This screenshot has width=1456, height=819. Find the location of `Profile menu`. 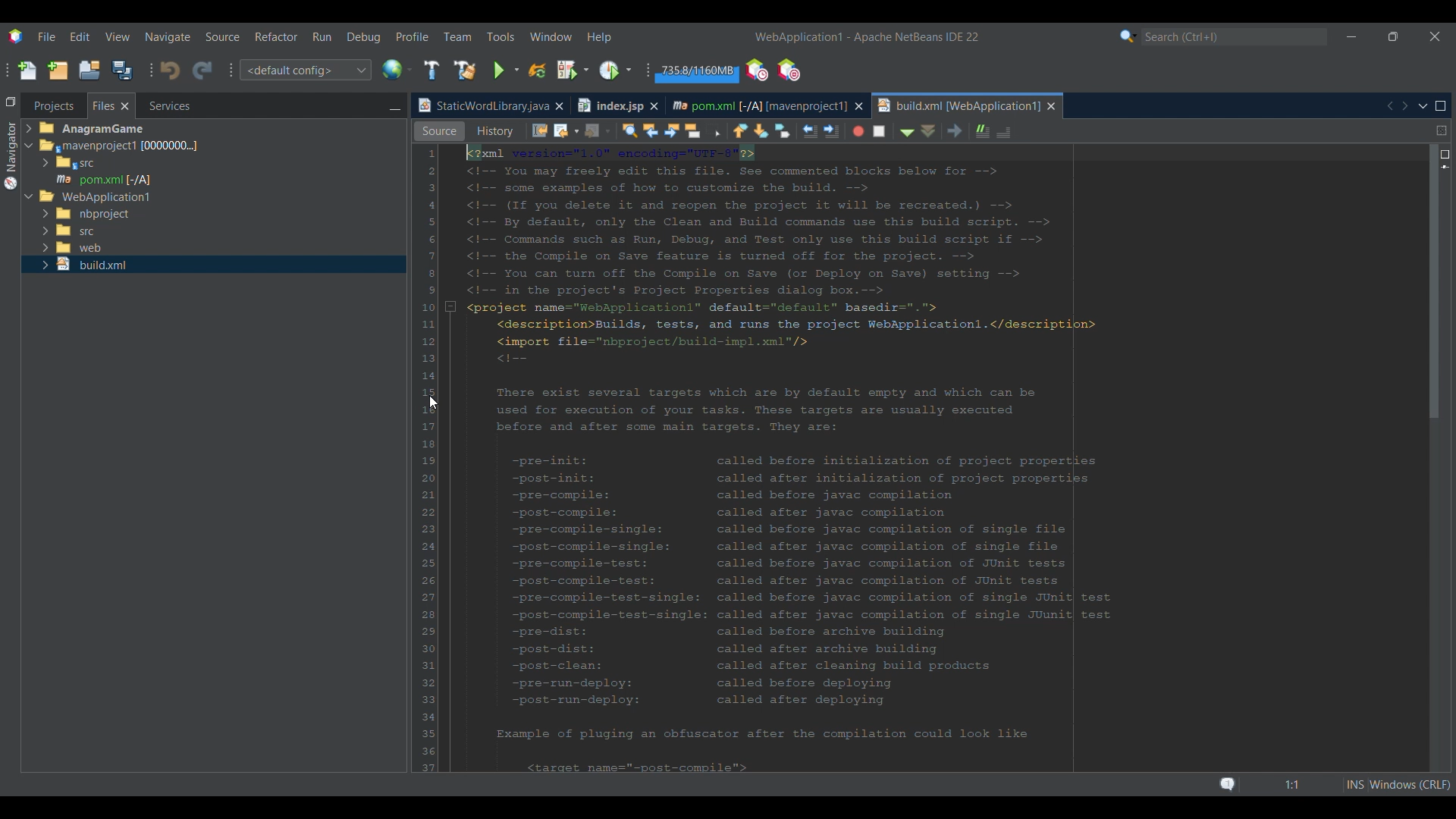

Profile menu is located at coordinates (413, 36).